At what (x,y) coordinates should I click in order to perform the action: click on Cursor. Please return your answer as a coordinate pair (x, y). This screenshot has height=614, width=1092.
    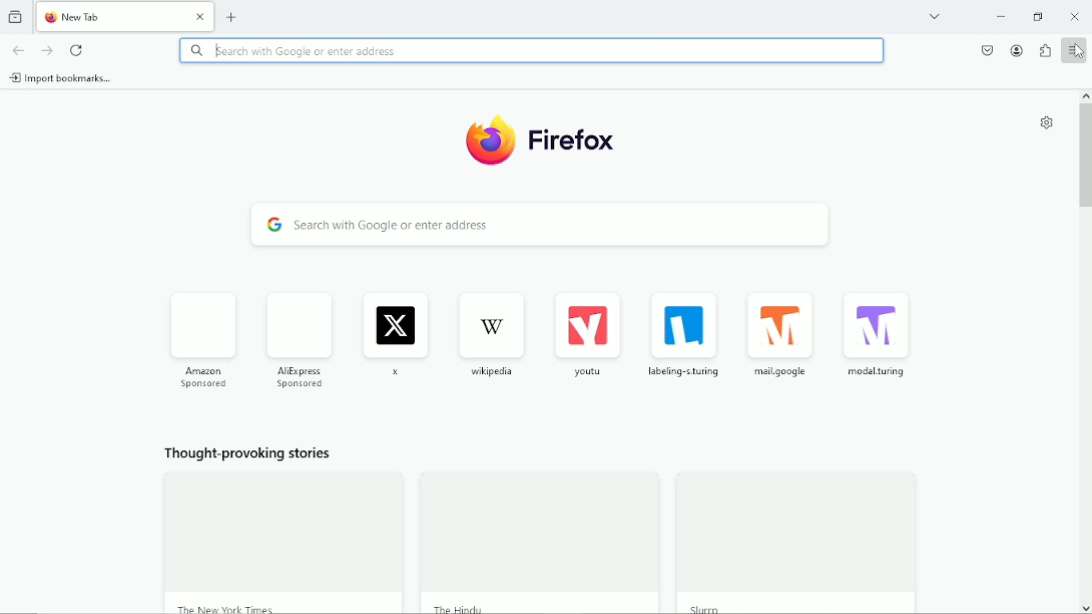
    Looking at the image, I should click on (1074, 51).